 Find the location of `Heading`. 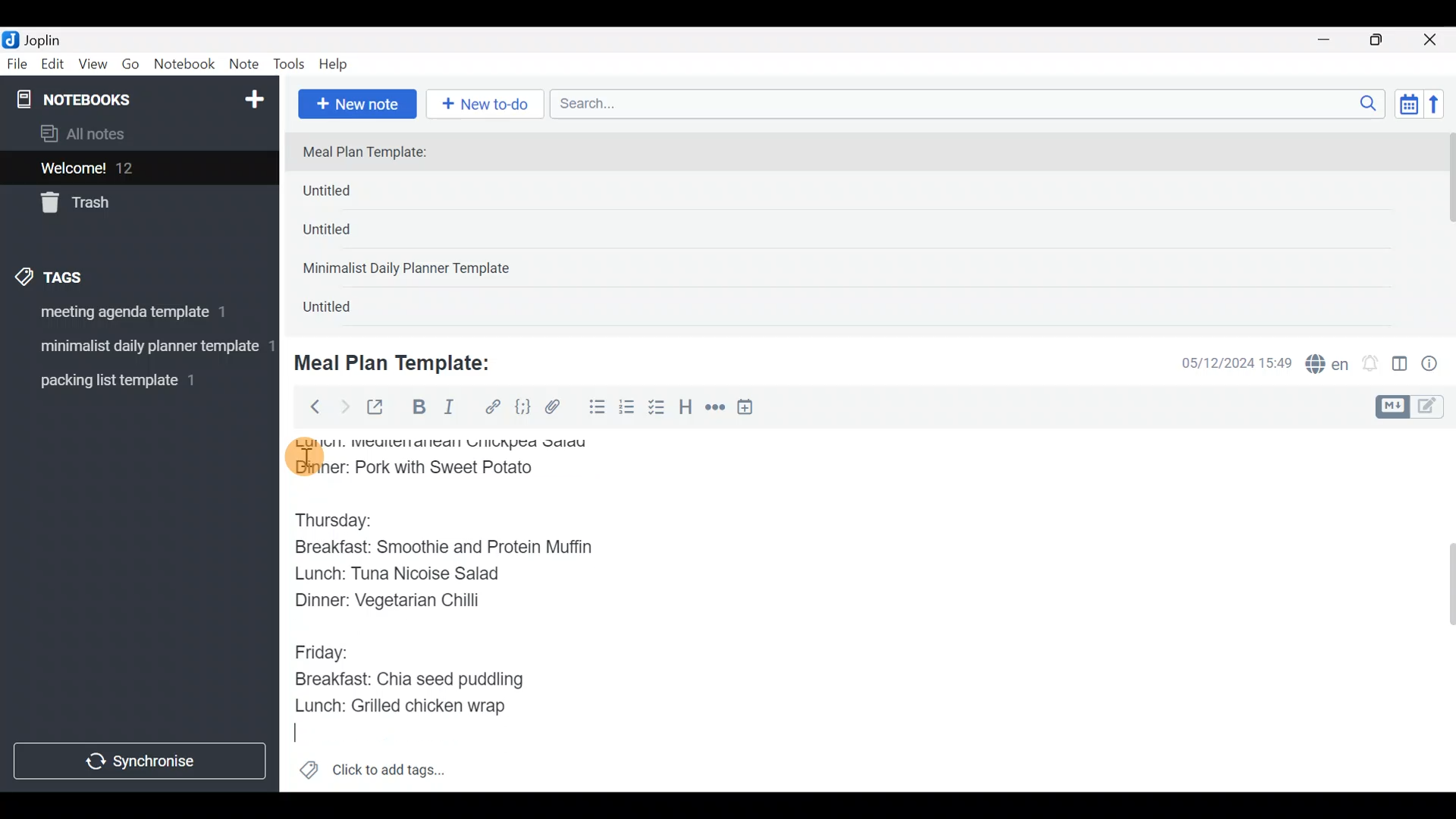

Heading is located at coordinates (686, 409).